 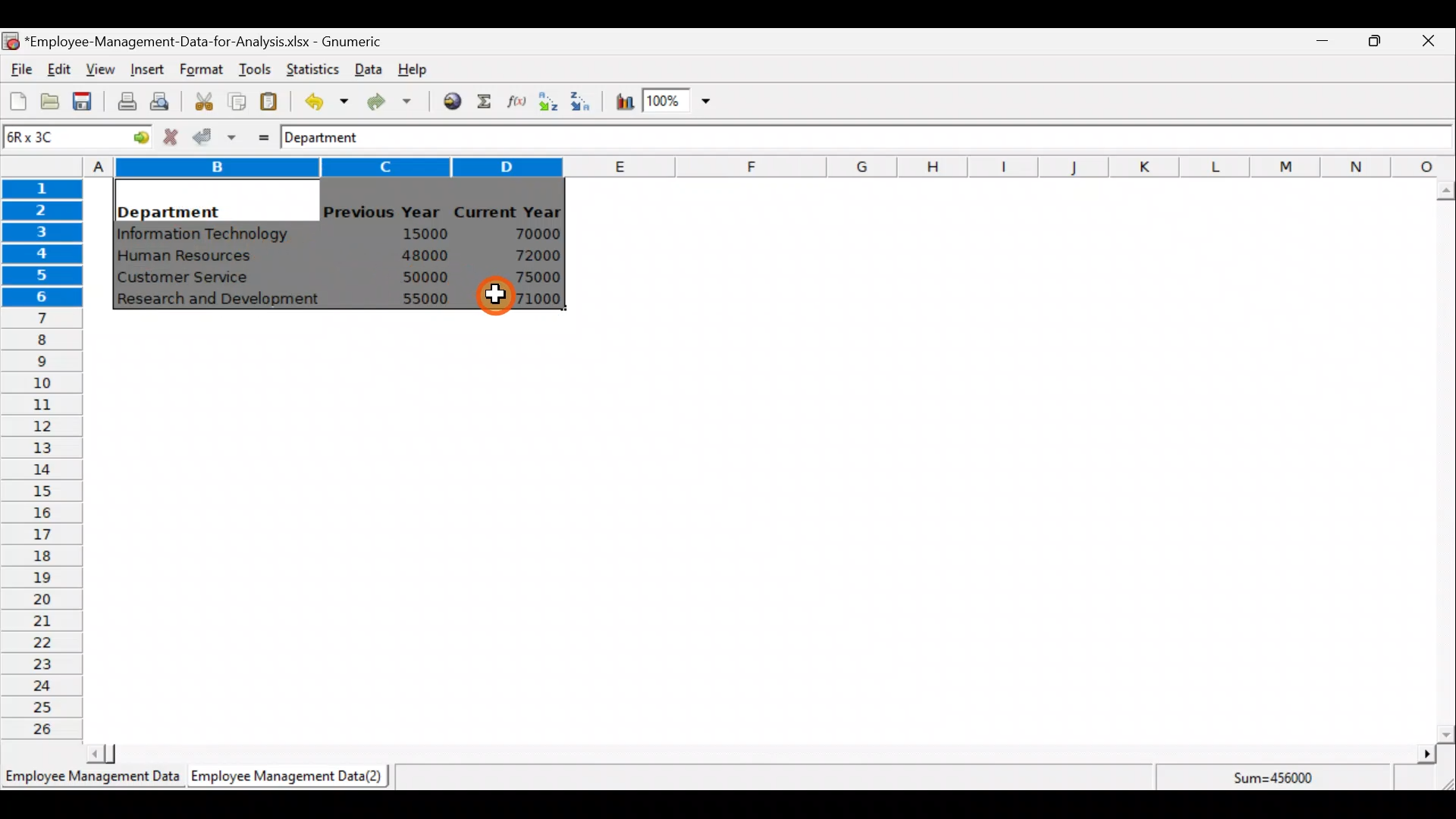 I want to click on Copy the selection, so click(x=236, y=99).